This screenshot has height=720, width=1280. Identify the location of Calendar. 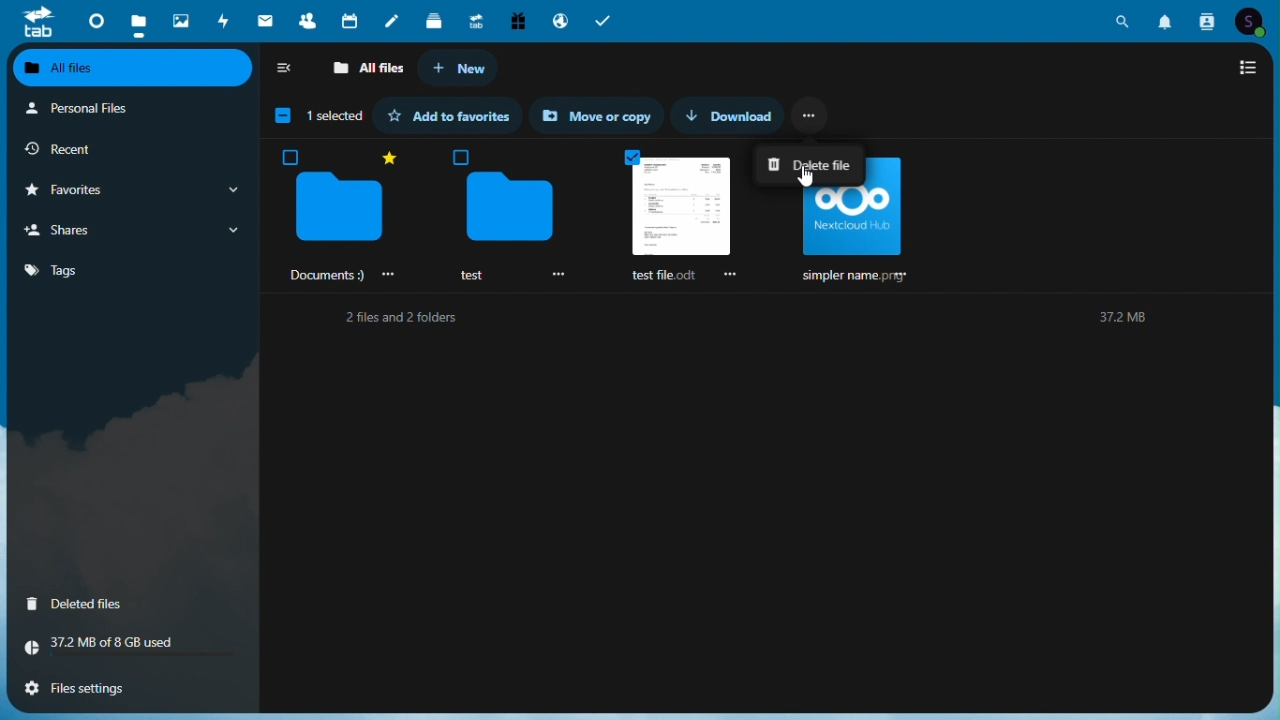
(351, 20).